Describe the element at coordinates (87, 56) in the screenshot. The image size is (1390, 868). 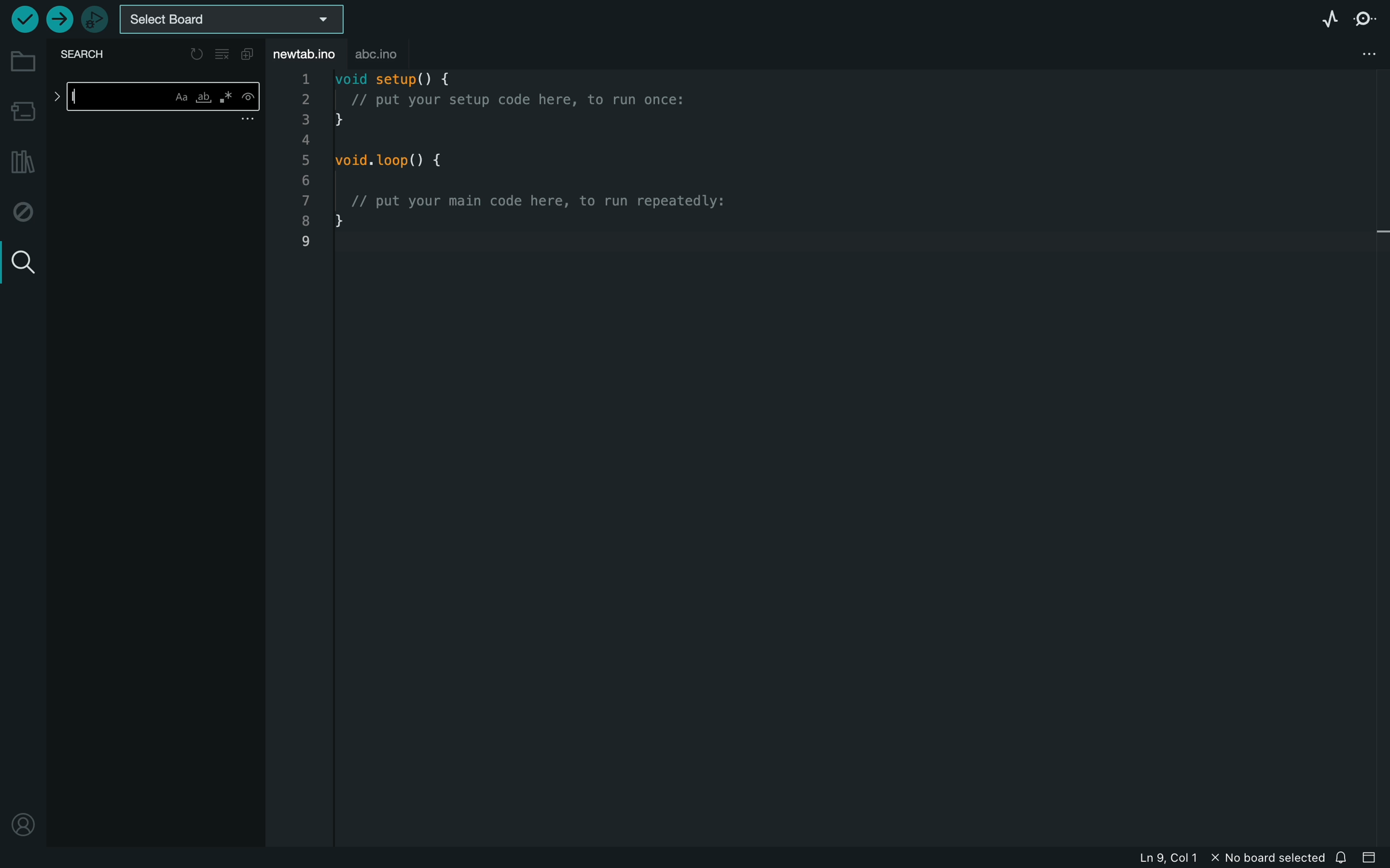
I see `search` at that location.